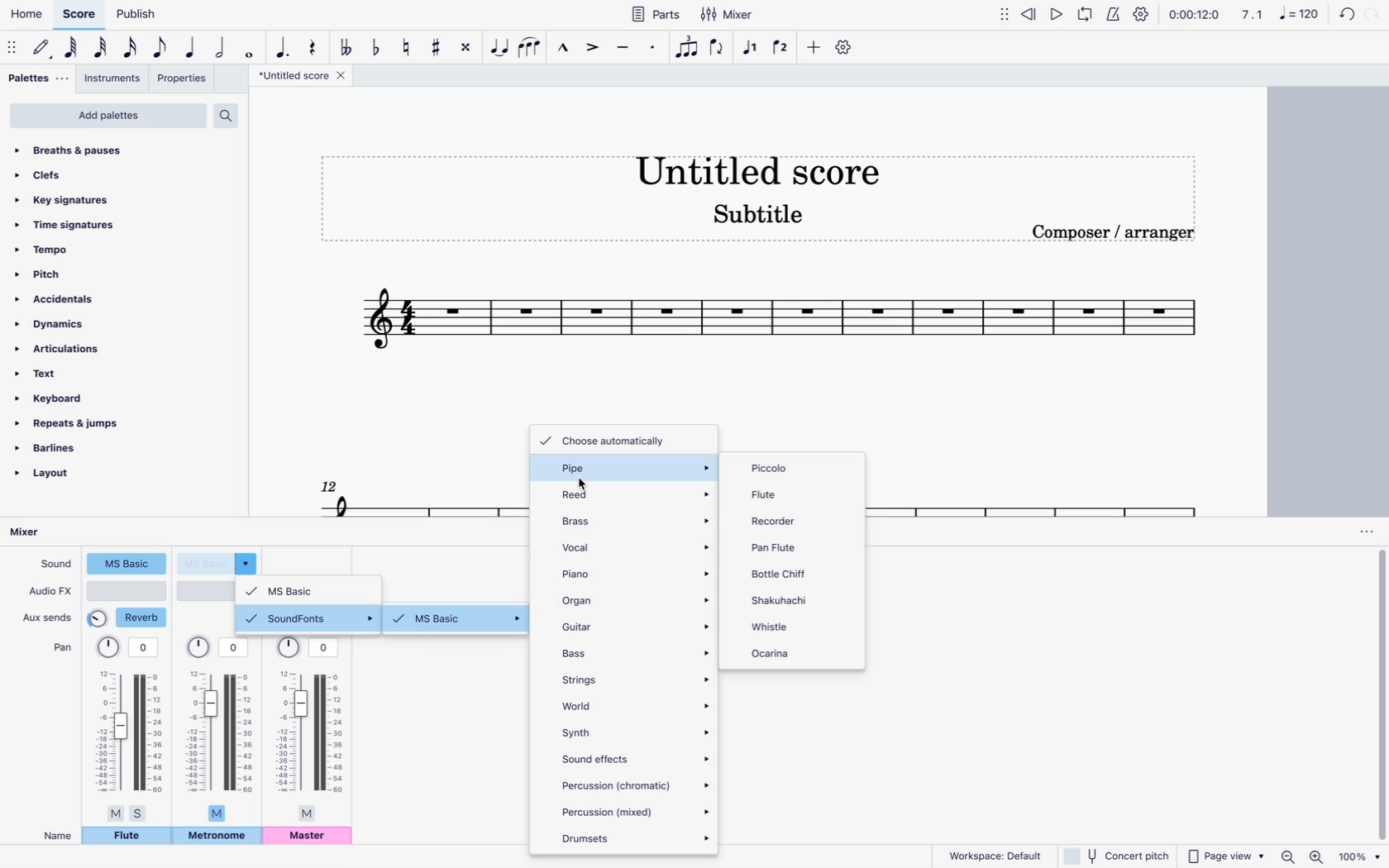  I want to click on percussion, so click(637, 785).